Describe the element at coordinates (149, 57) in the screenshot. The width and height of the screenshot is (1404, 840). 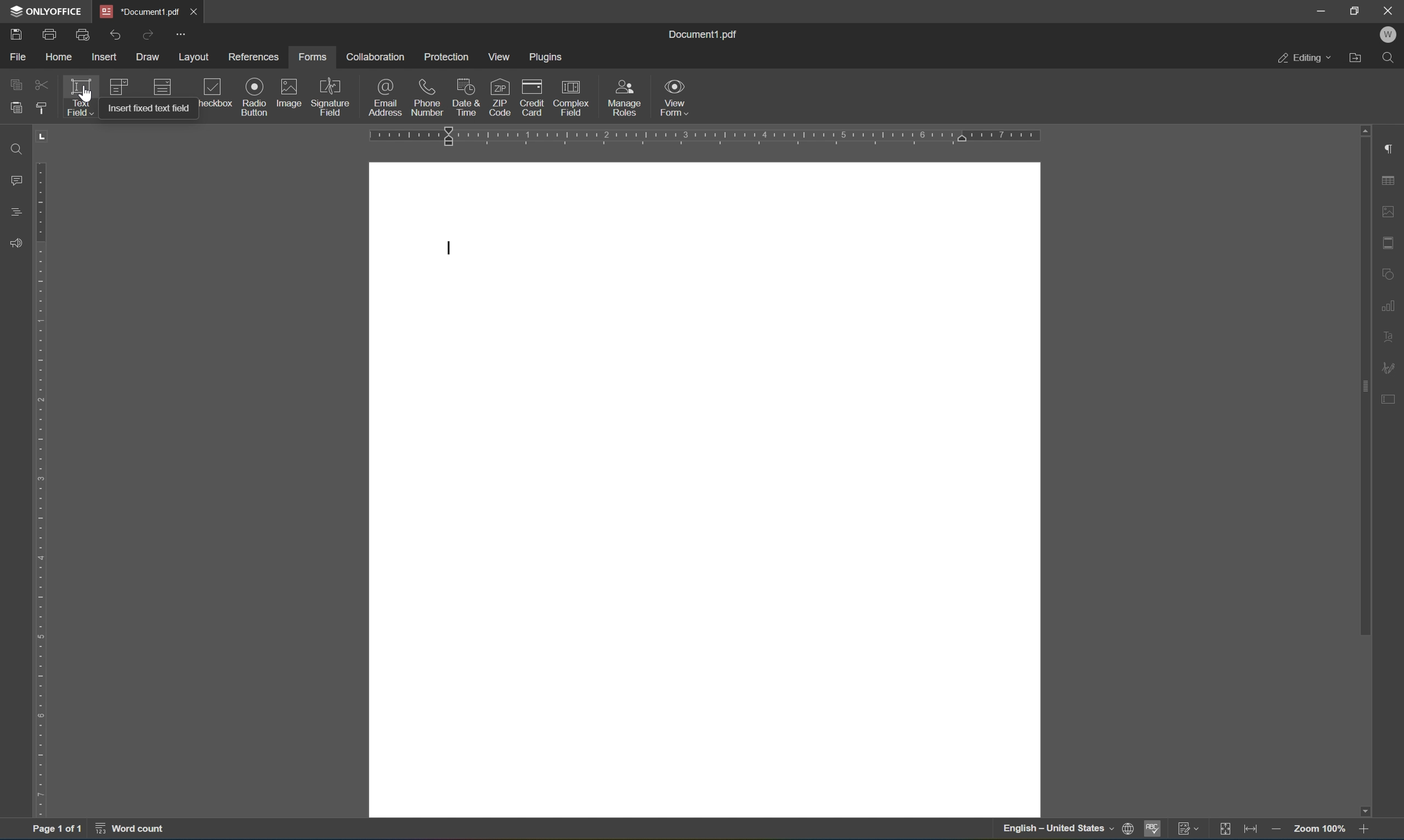
I see `draw` at that location.